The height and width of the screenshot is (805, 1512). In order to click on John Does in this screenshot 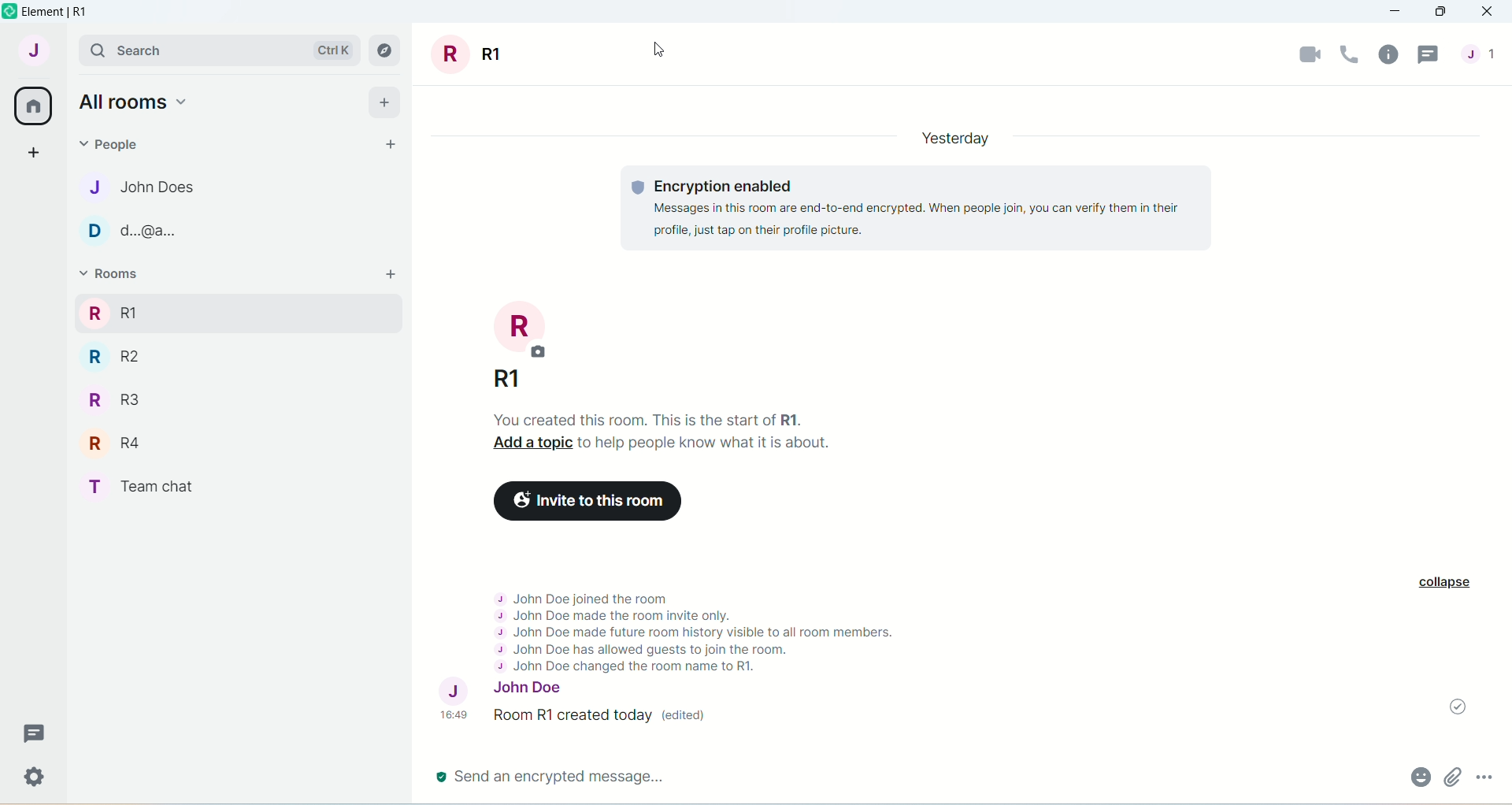, I will do `click(142, 190)`.